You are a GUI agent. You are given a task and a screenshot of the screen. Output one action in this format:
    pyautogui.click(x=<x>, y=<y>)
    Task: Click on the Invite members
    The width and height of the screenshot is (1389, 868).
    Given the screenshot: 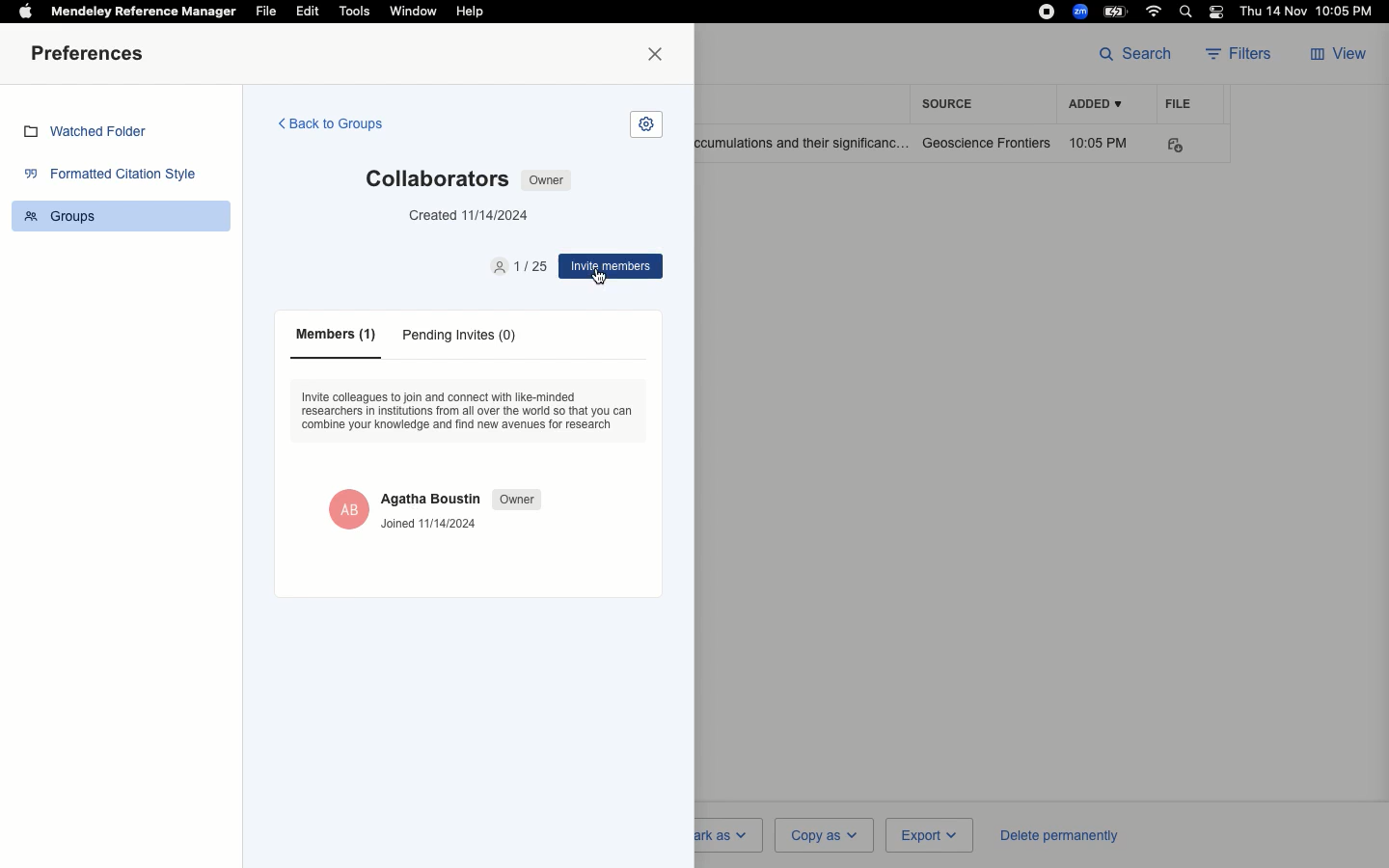 What is the action you would take?
    pyautogui.click(x=611, y=267)
    